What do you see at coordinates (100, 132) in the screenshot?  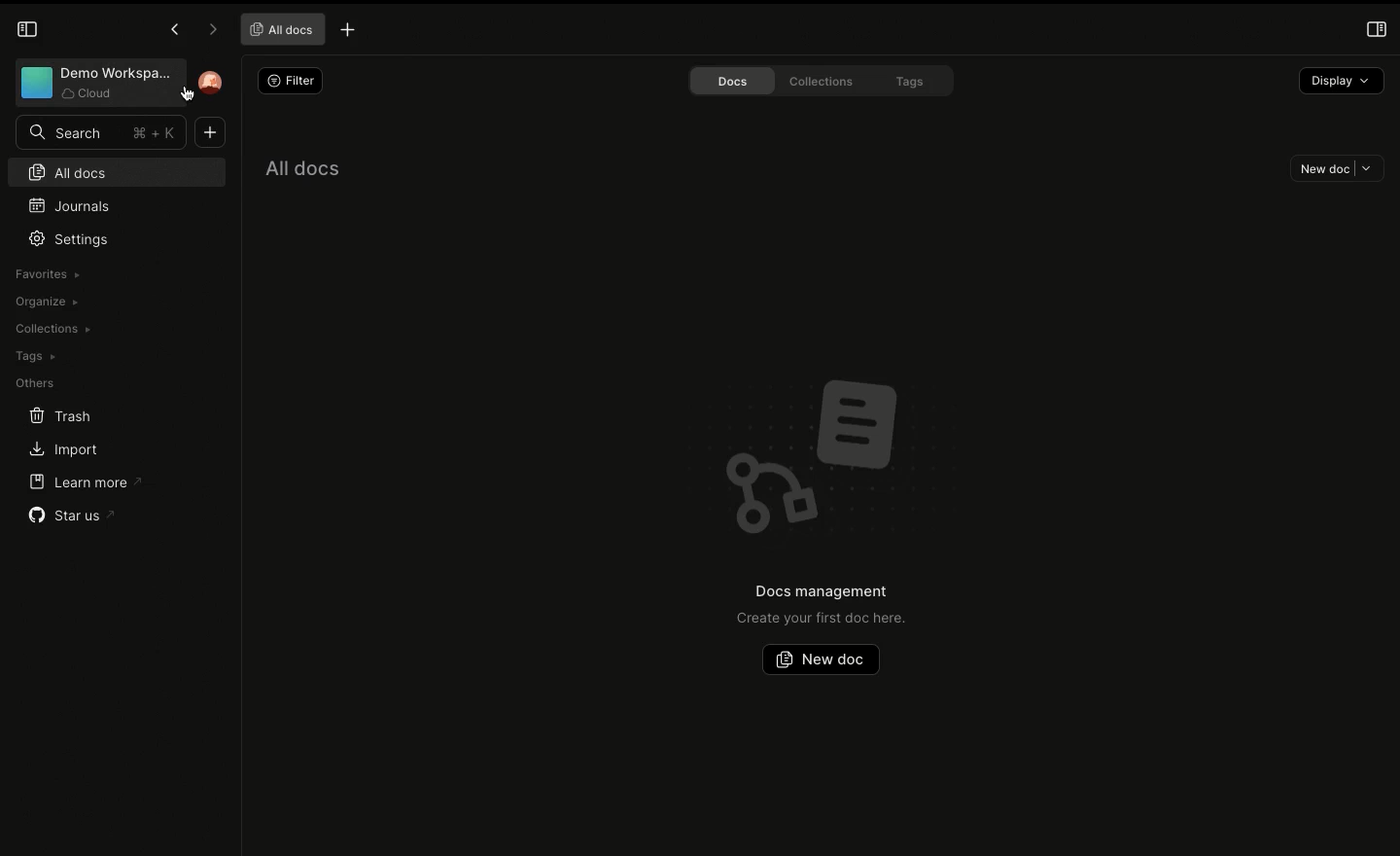 I see `Search` at bounding box center [100, 132].